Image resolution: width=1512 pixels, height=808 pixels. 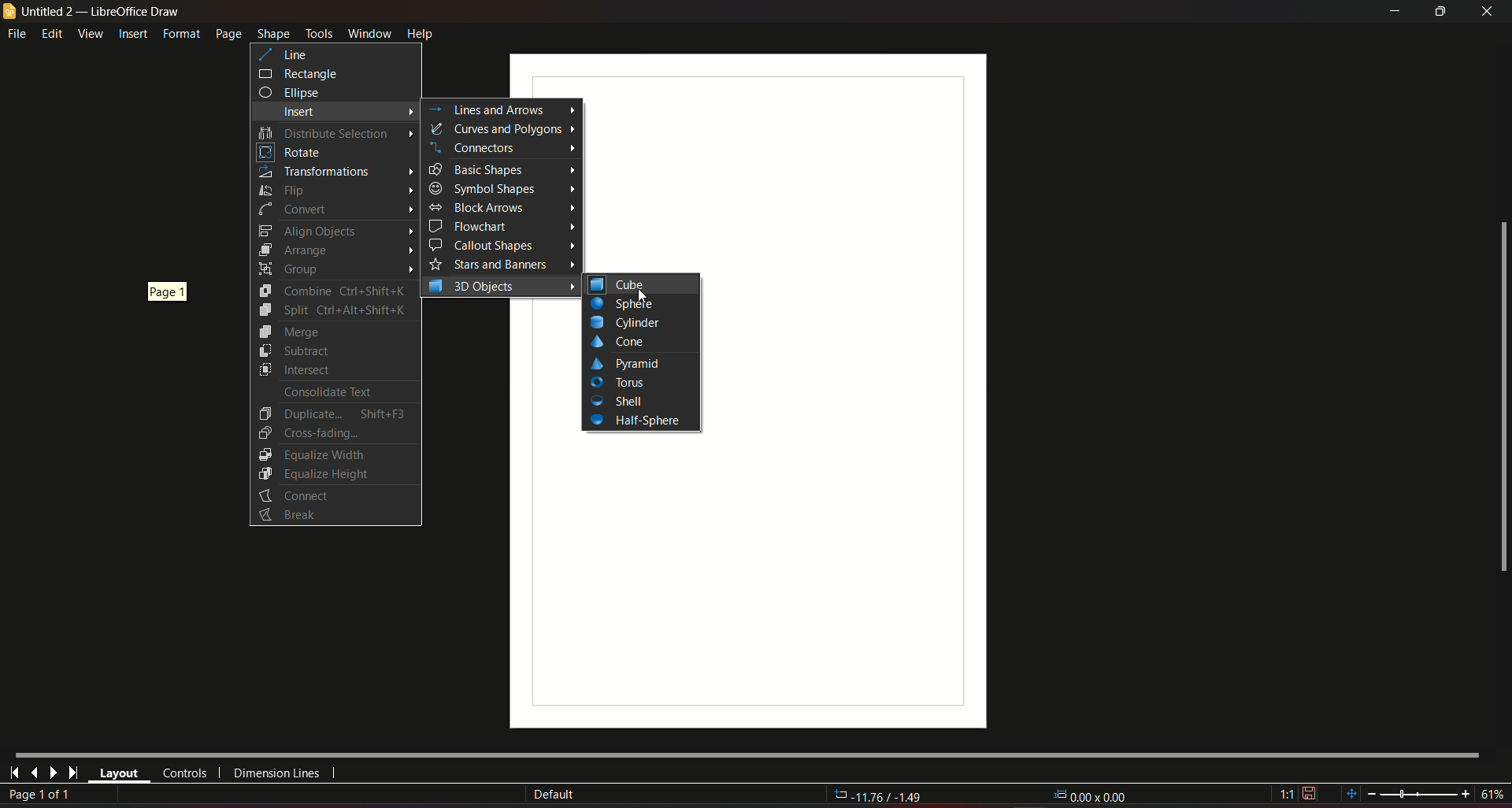 What do you see at coordinates (572, 109) in the screenshot?
I see `arrow` at bounding box center [572, 109].